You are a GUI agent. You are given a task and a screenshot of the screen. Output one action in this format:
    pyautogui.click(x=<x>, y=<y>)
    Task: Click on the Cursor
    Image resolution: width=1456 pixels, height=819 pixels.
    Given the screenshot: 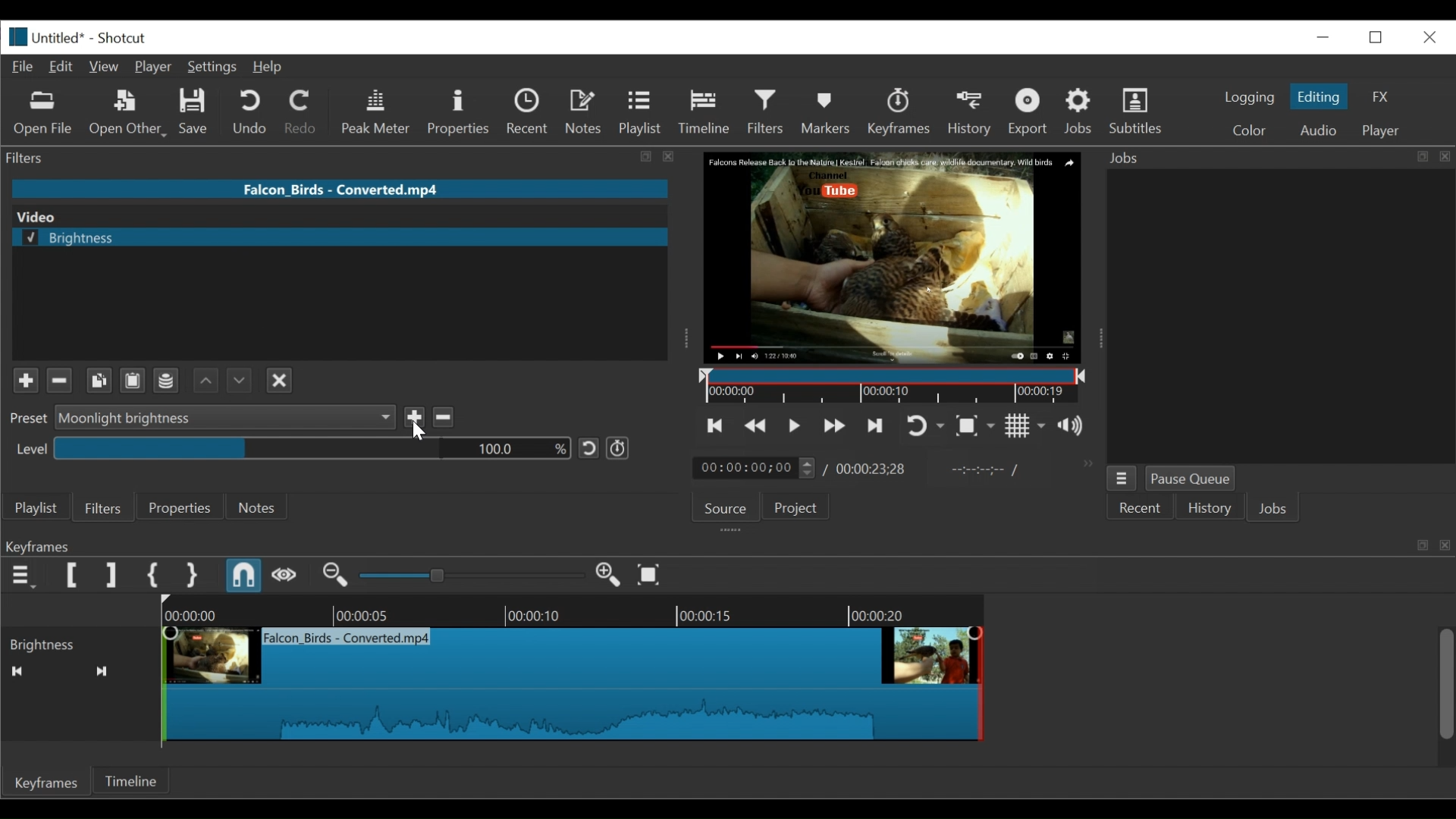 What is the action you would take?
    pyautogui.click(x=422, y=434)
    